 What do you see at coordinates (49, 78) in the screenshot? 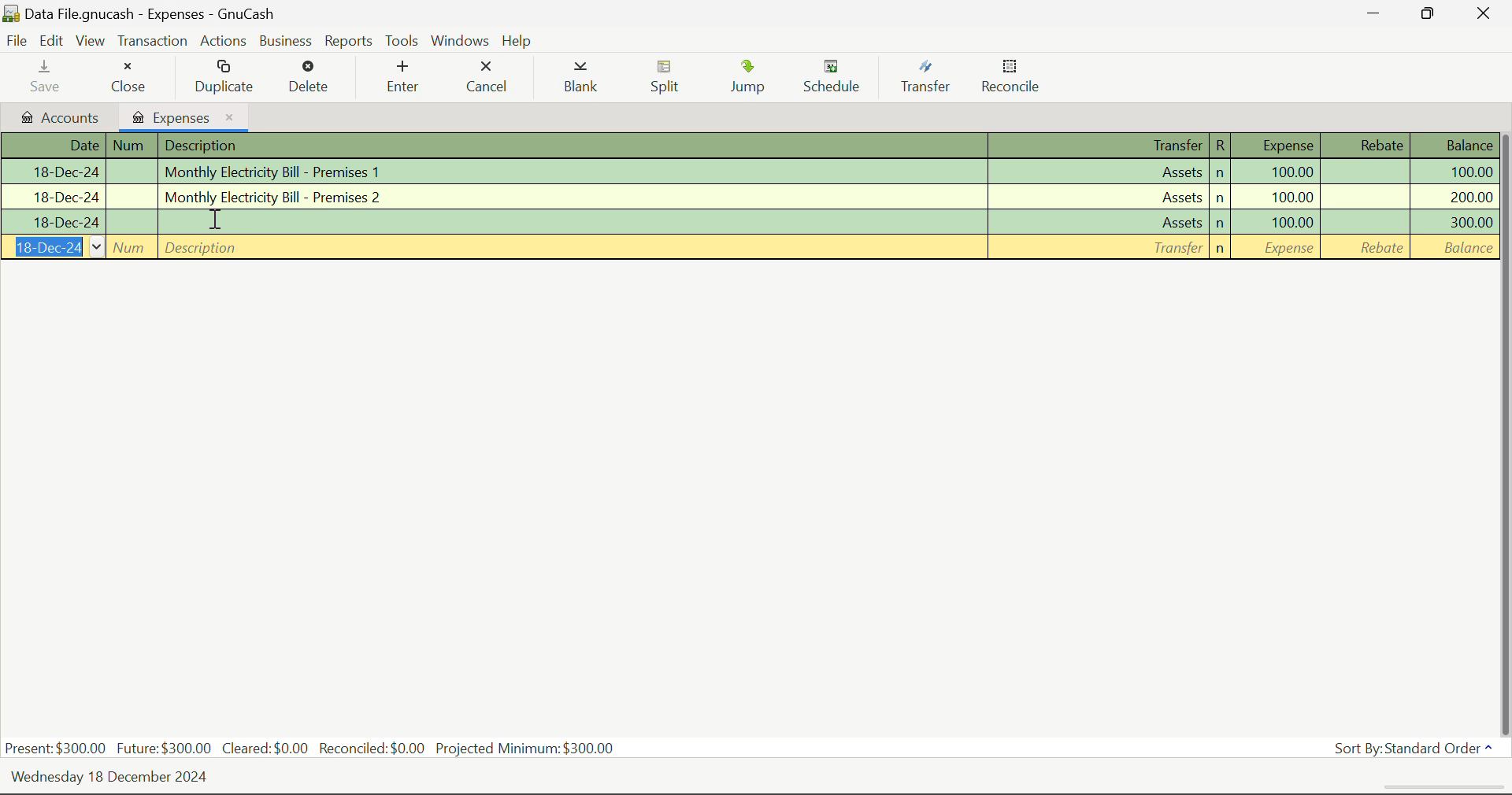
I see `Save` at bounding box center [49, 78].